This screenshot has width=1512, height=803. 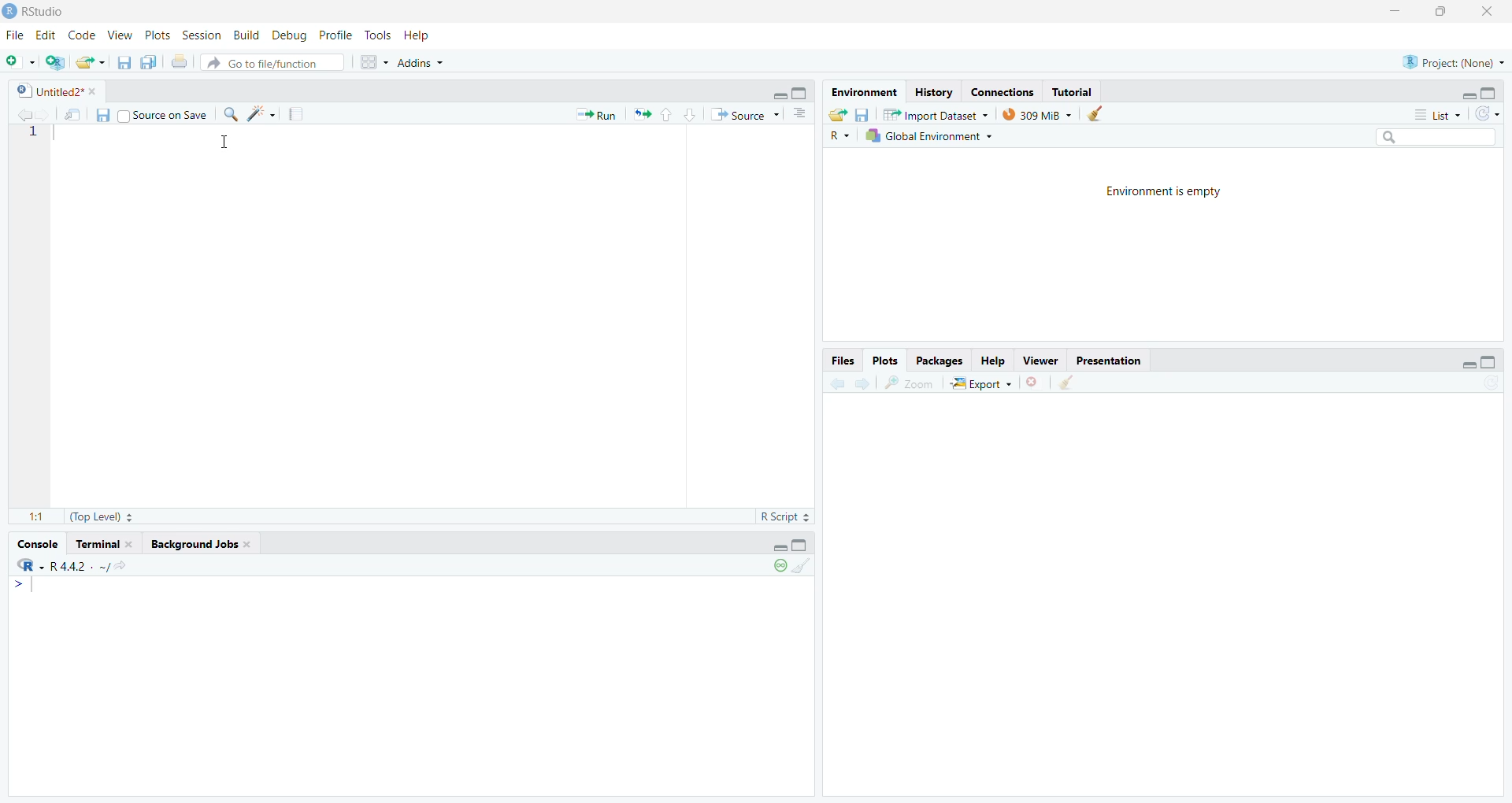 What do you see at coordinates (375, 35) in the screenshot?
I see `Tools` at bounding box center [375, 35].